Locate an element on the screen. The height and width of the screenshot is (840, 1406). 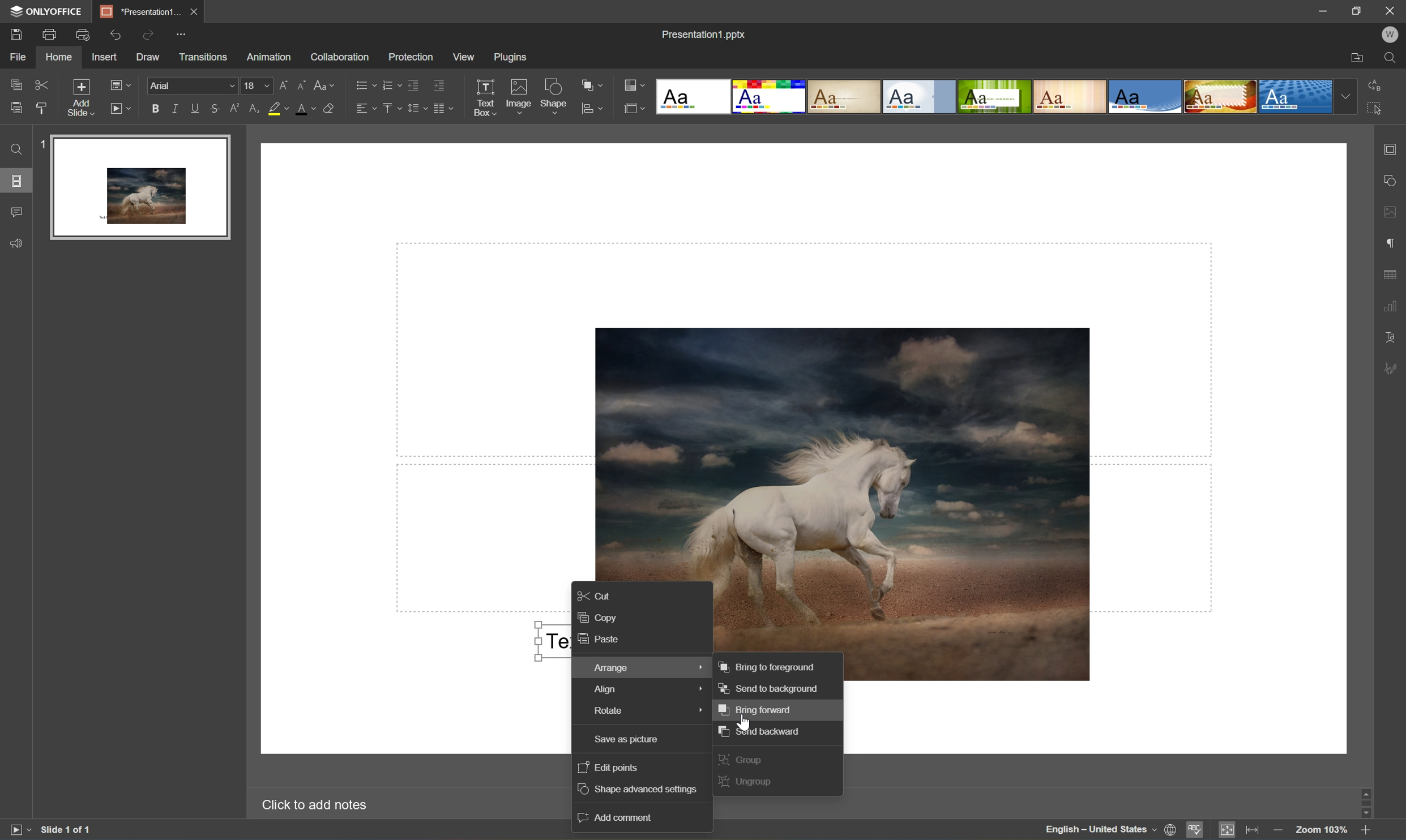
Horizontal align is located at coordinates (366, 109).